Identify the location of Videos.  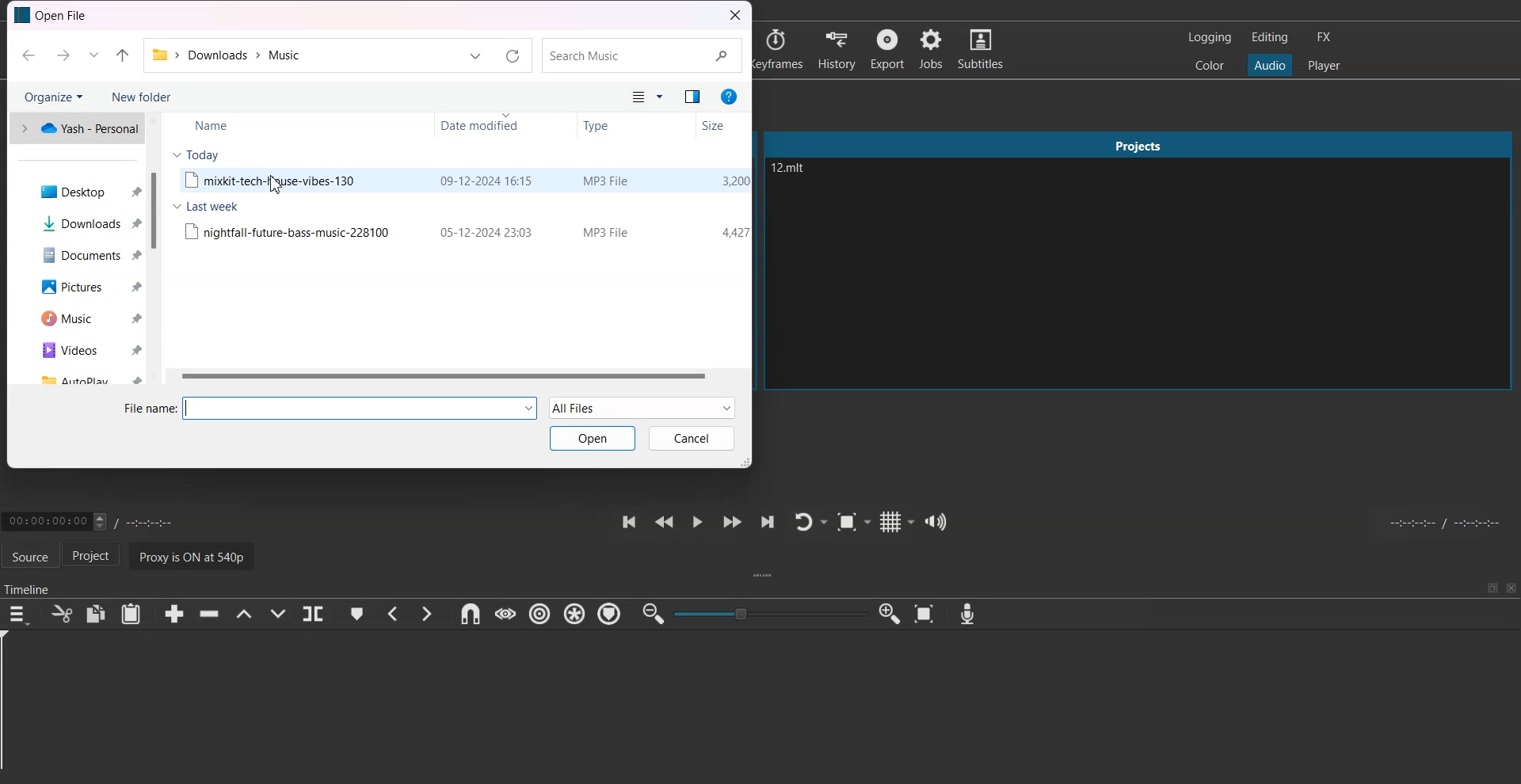
(85, 349).